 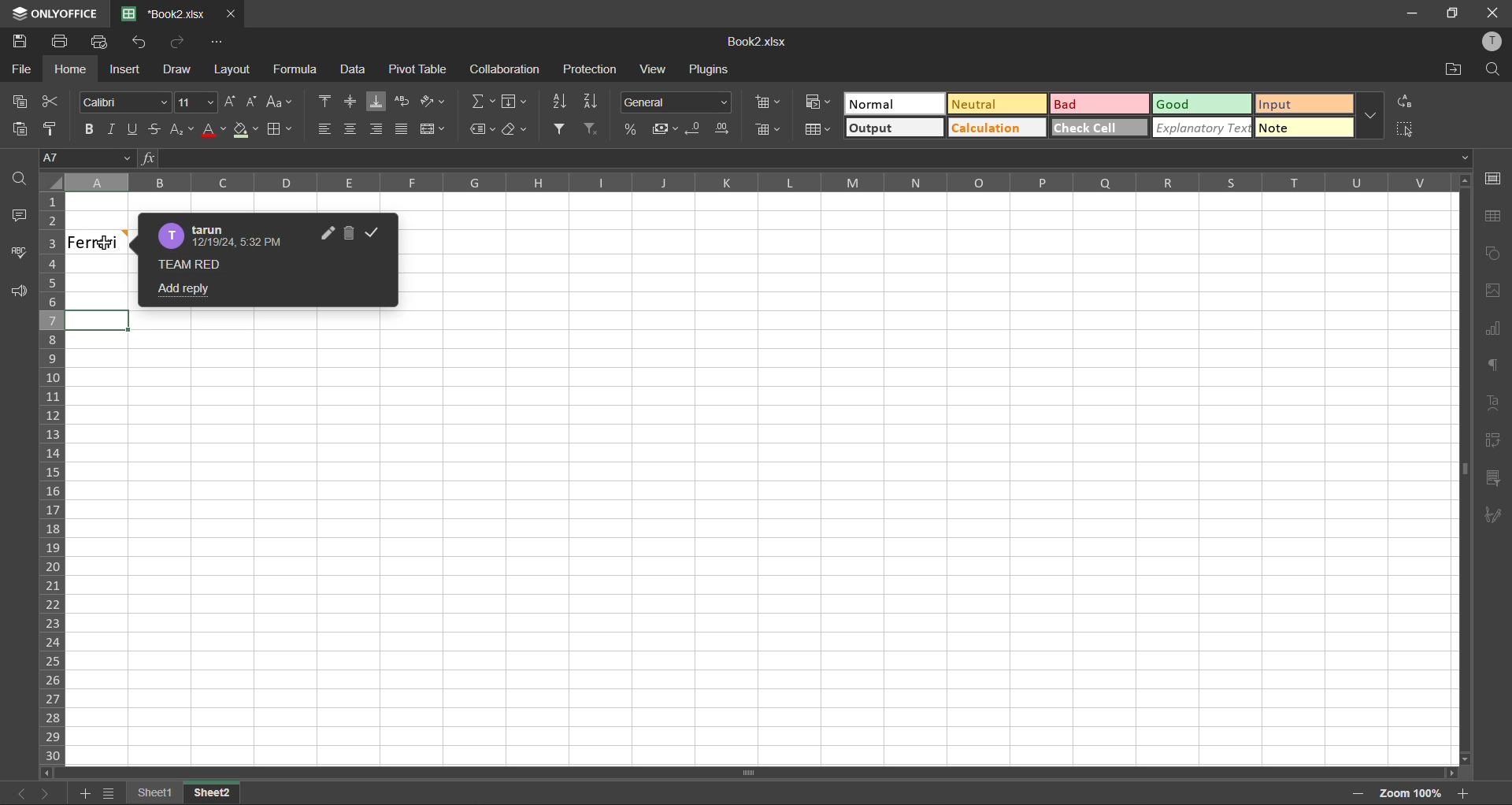 I want to click on slicer, so click(x=1492, y=479).